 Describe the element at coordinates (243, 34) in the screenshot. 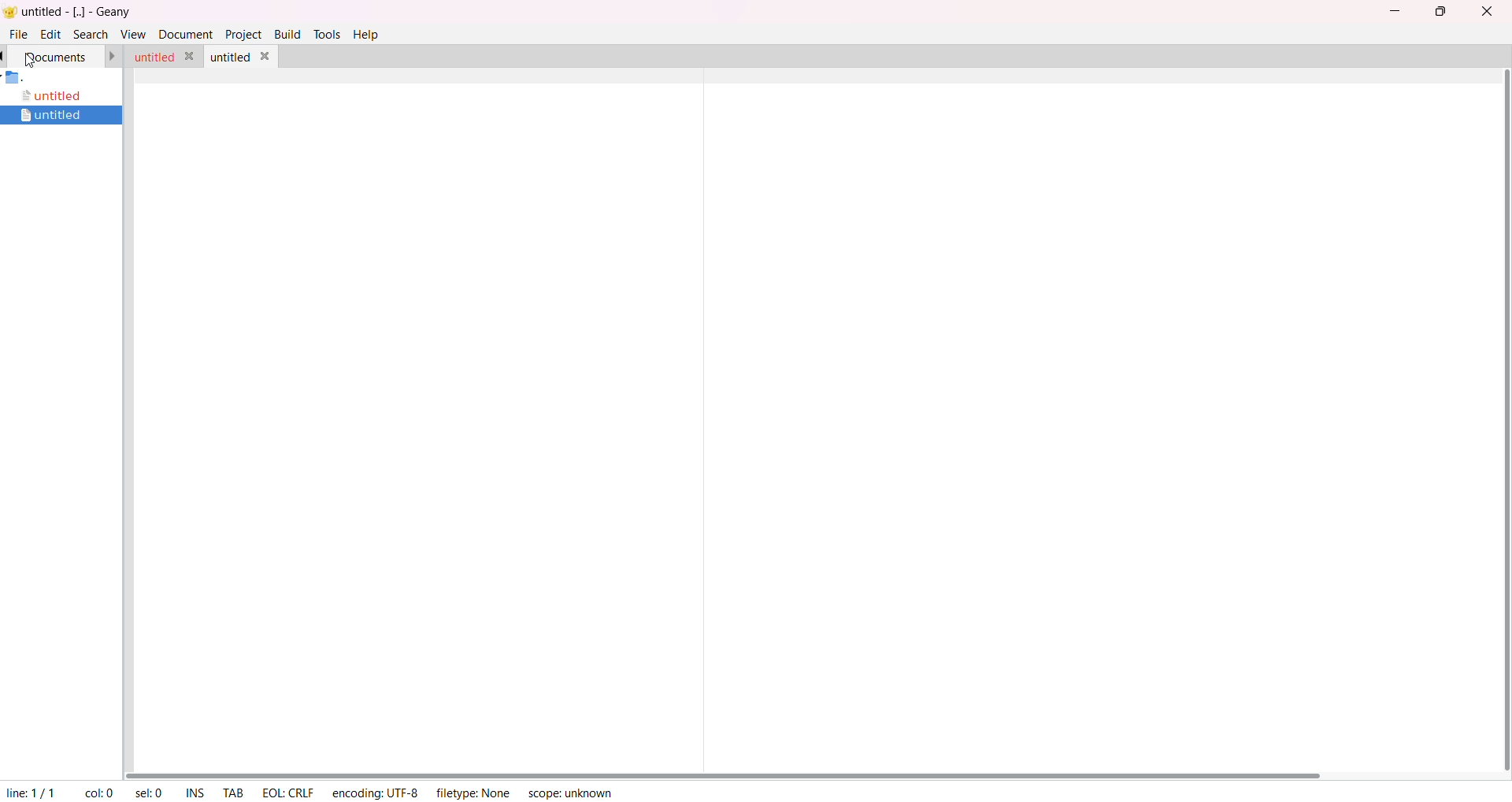

I see `project` at that location.